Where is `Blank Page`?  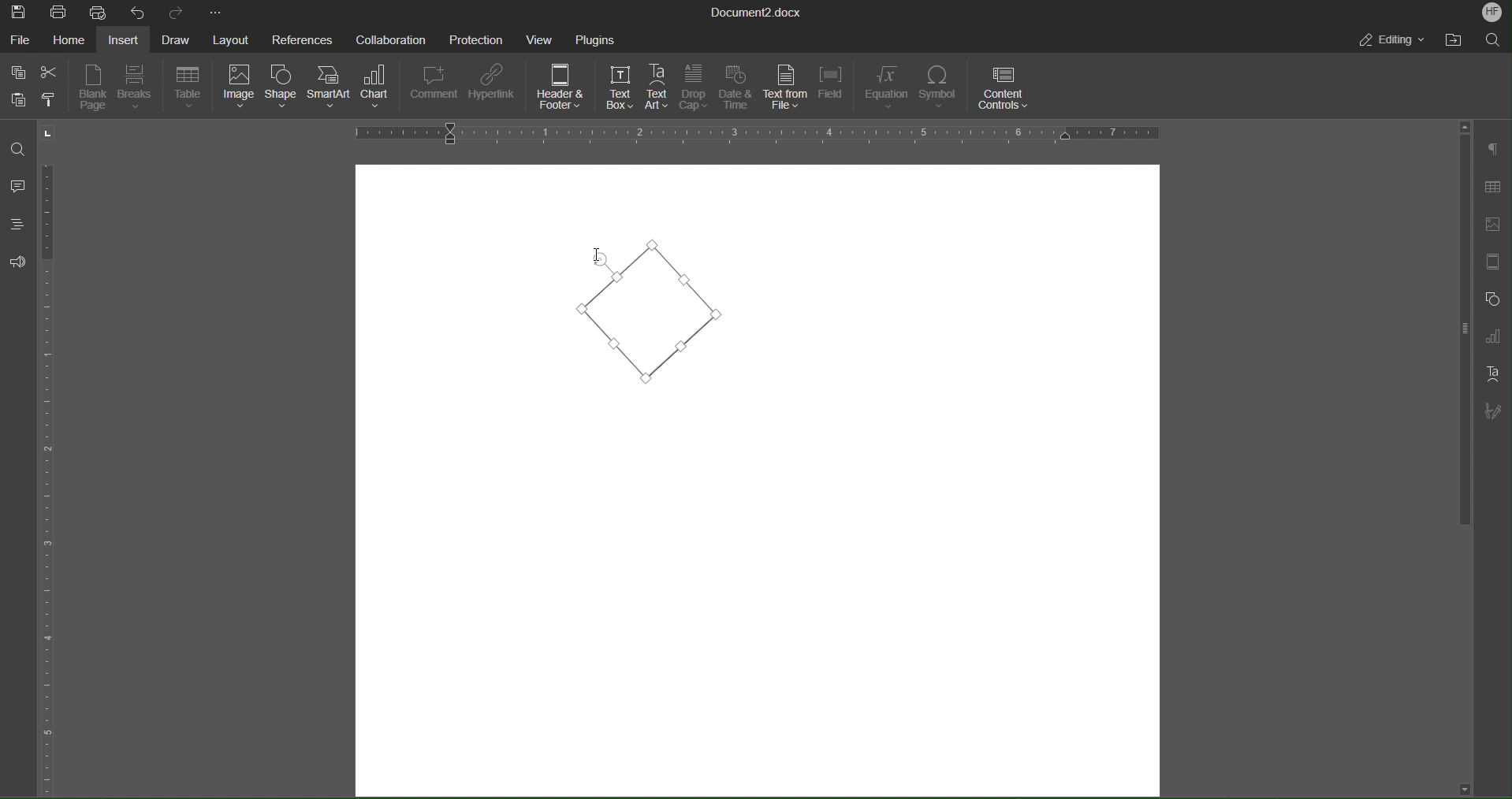 Blank Page is located at coordinates (93, 87).